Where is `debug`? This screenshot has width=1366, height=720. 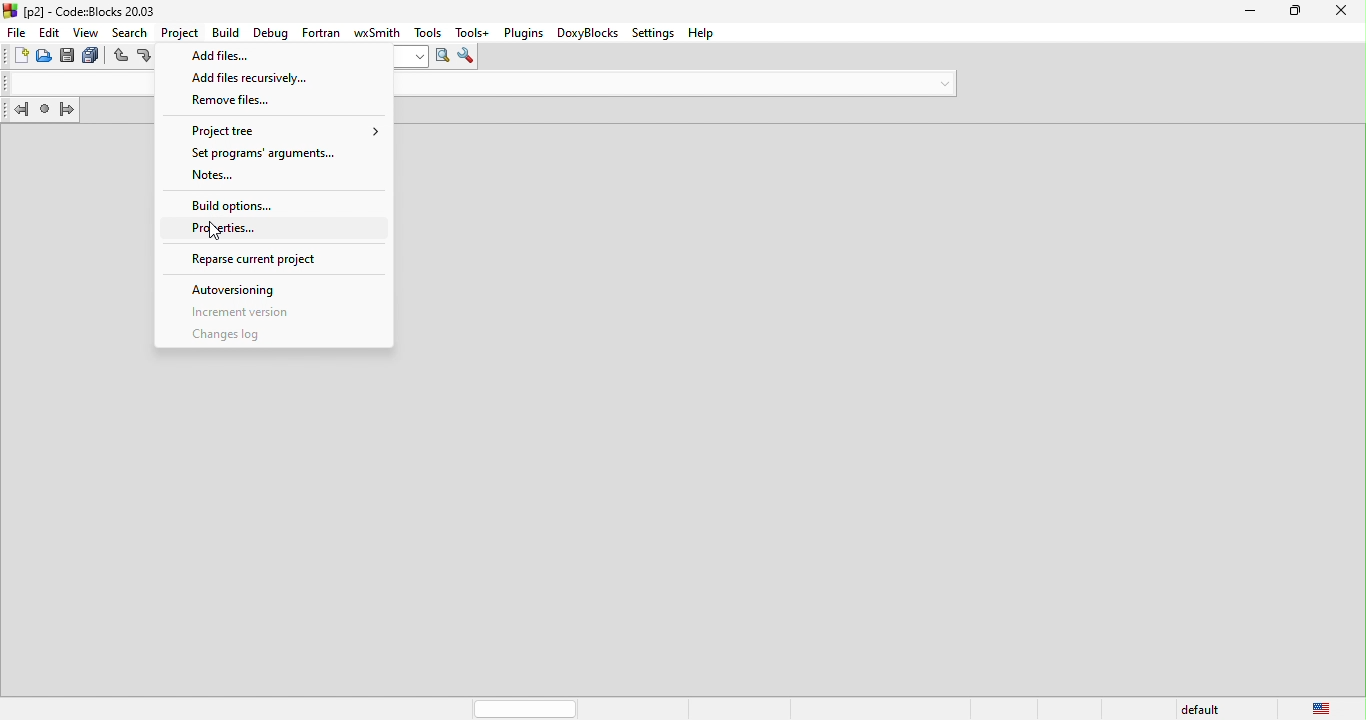
debug is located at coordinates (269, 30).